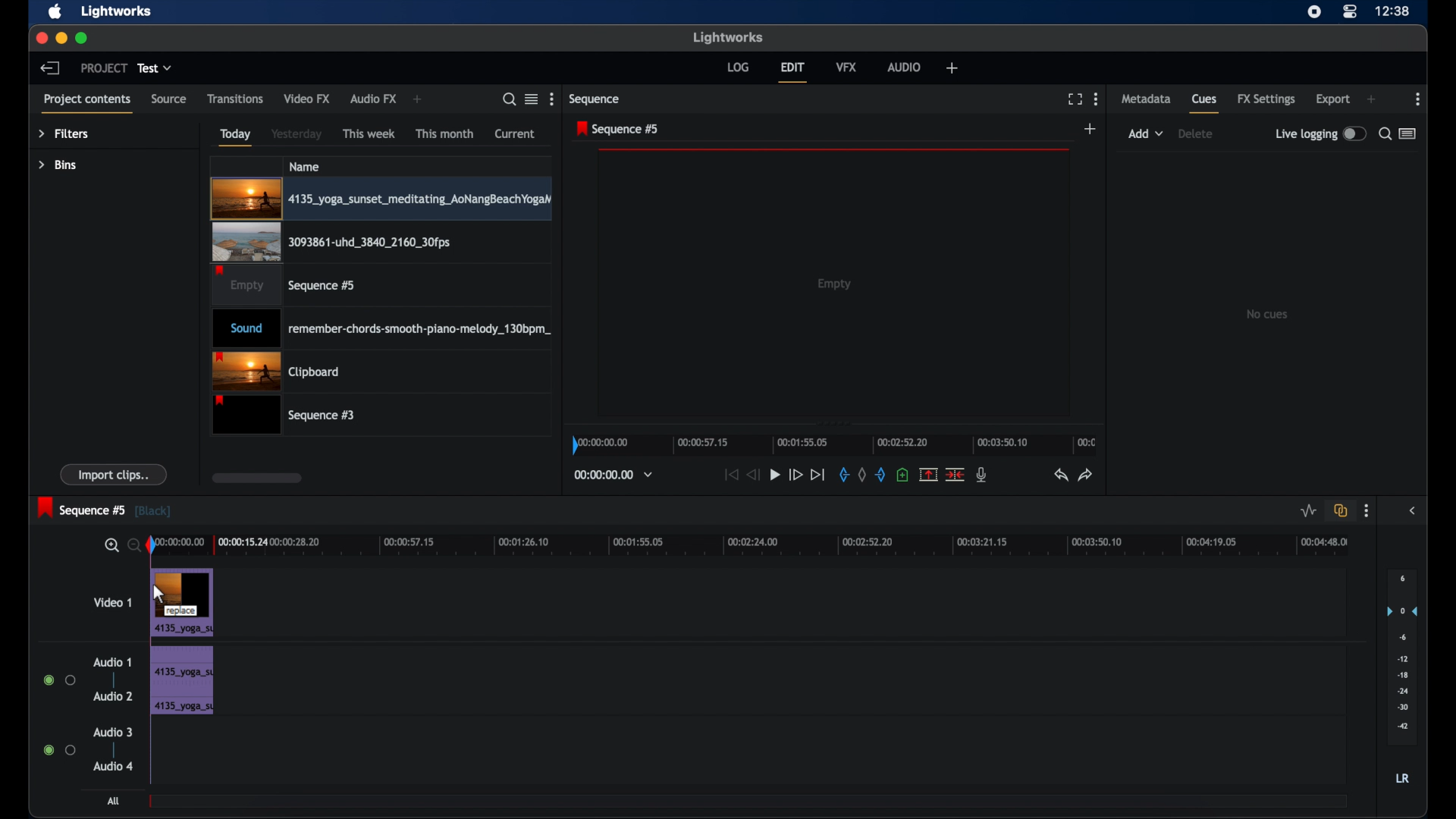 The image size is (1456, 819). I want to click on play button, so click(775, 475).